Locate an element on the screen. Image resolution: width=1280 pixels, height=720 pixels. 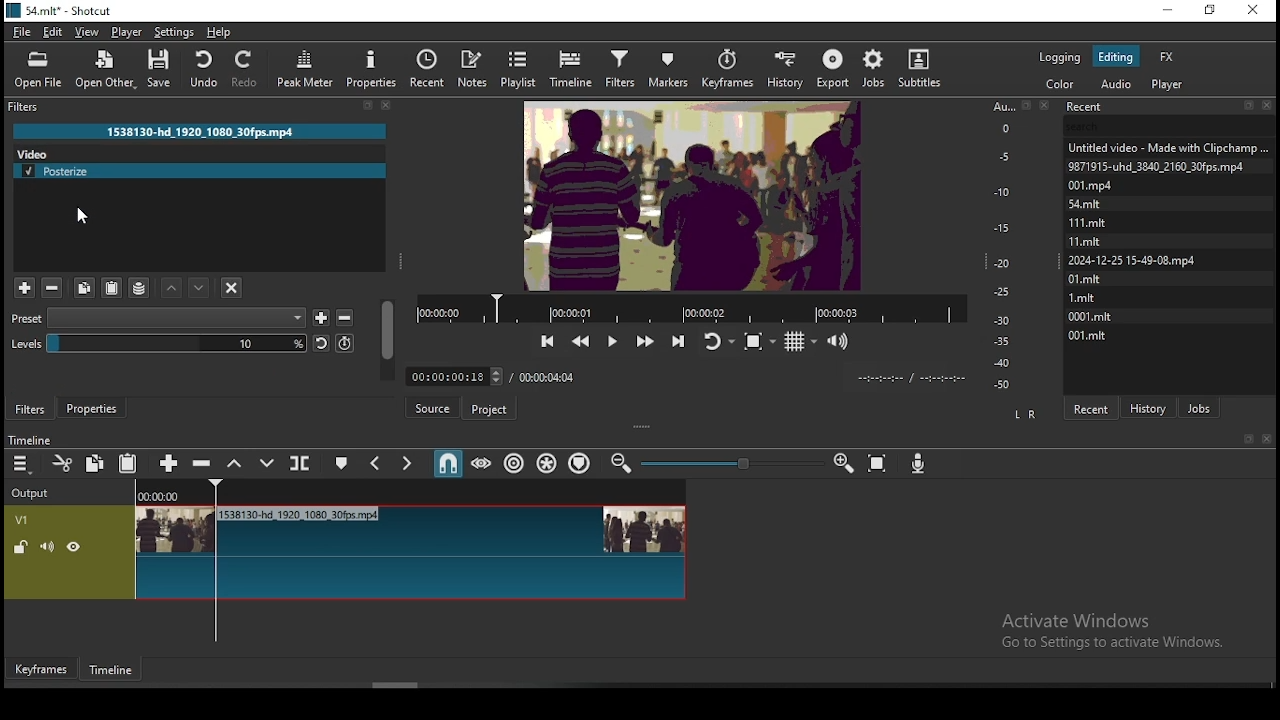
copy is located at coordinates (96, 464).